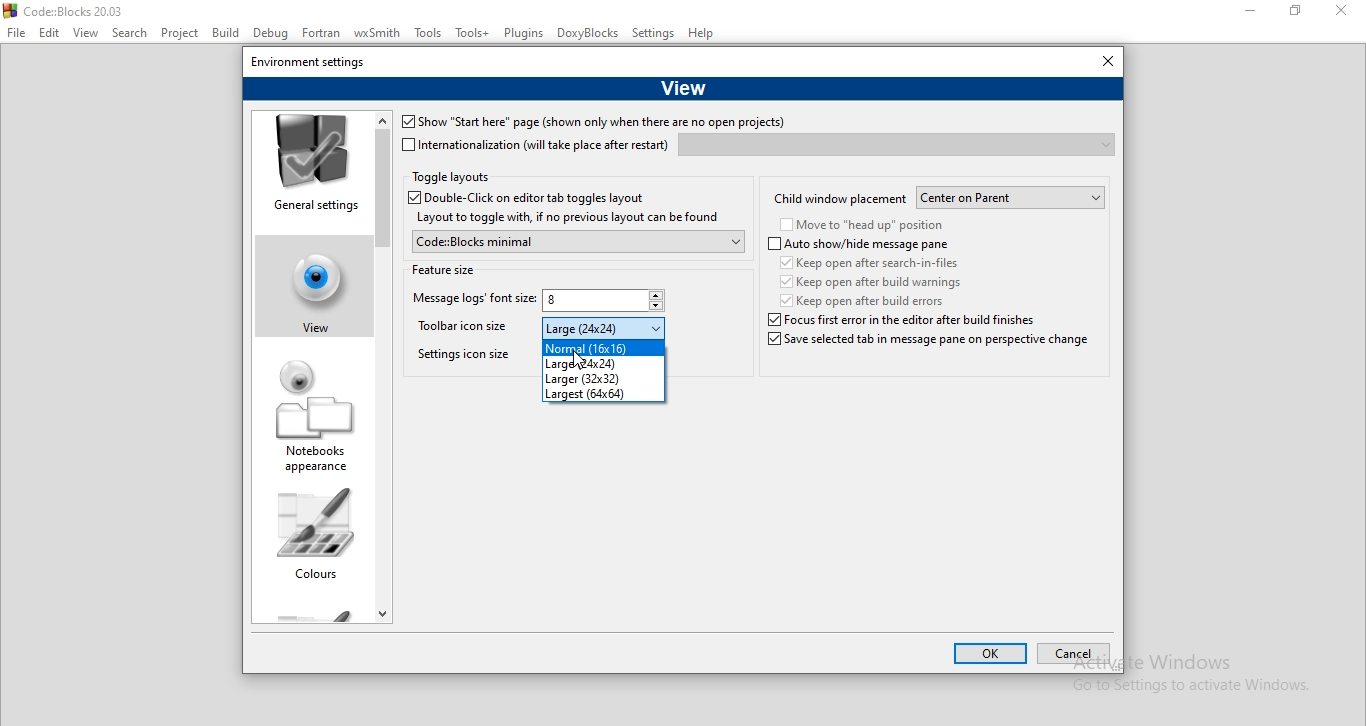 The height and width of the screenshot is (726, 1366). What do you see at coordinates (703, 35) in the screenshot?
I see `Help` at bounding box center [703, 35].